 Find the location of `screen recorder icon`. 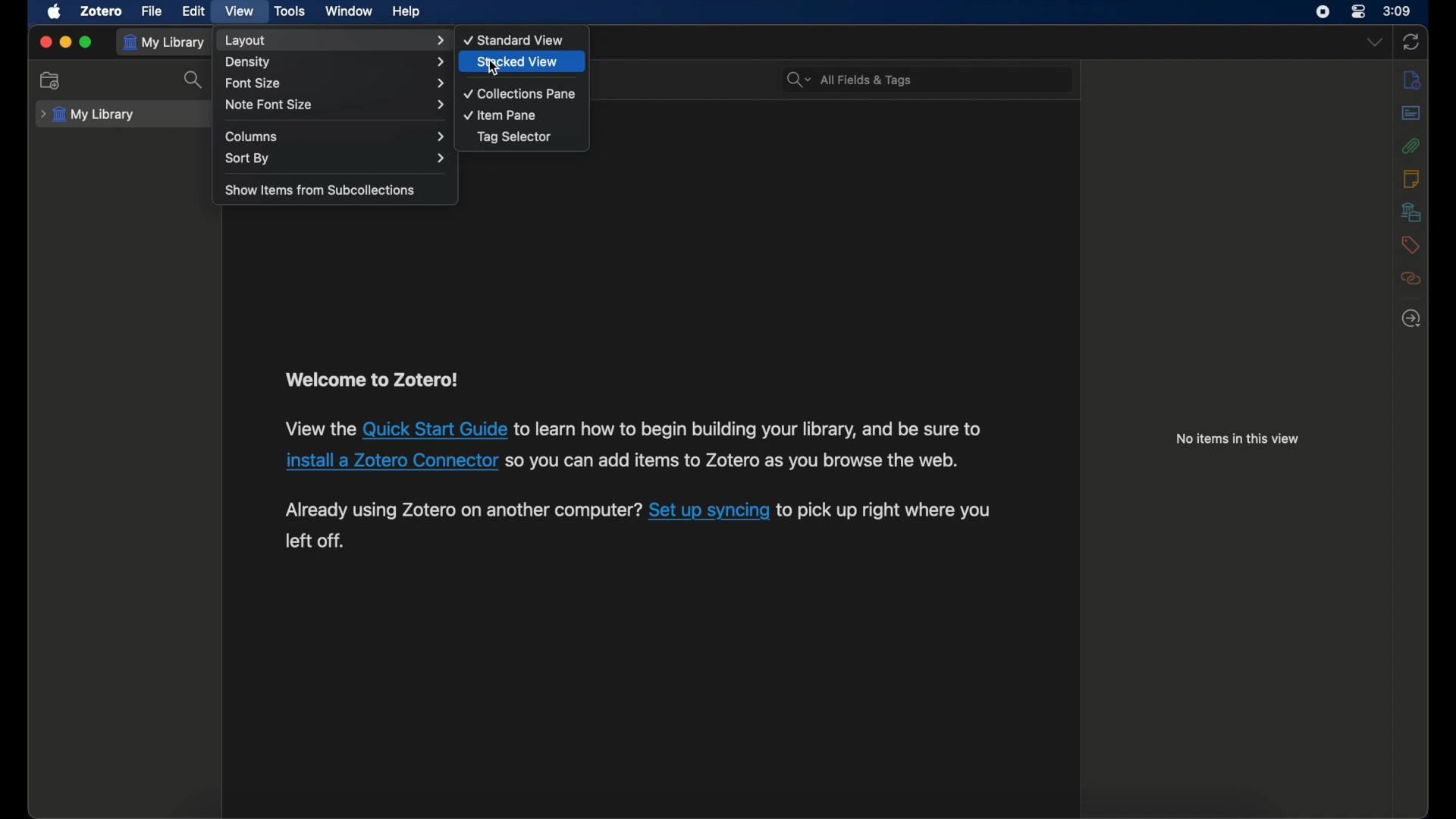

screen recorder icon is located at coordinates (1323, 12).